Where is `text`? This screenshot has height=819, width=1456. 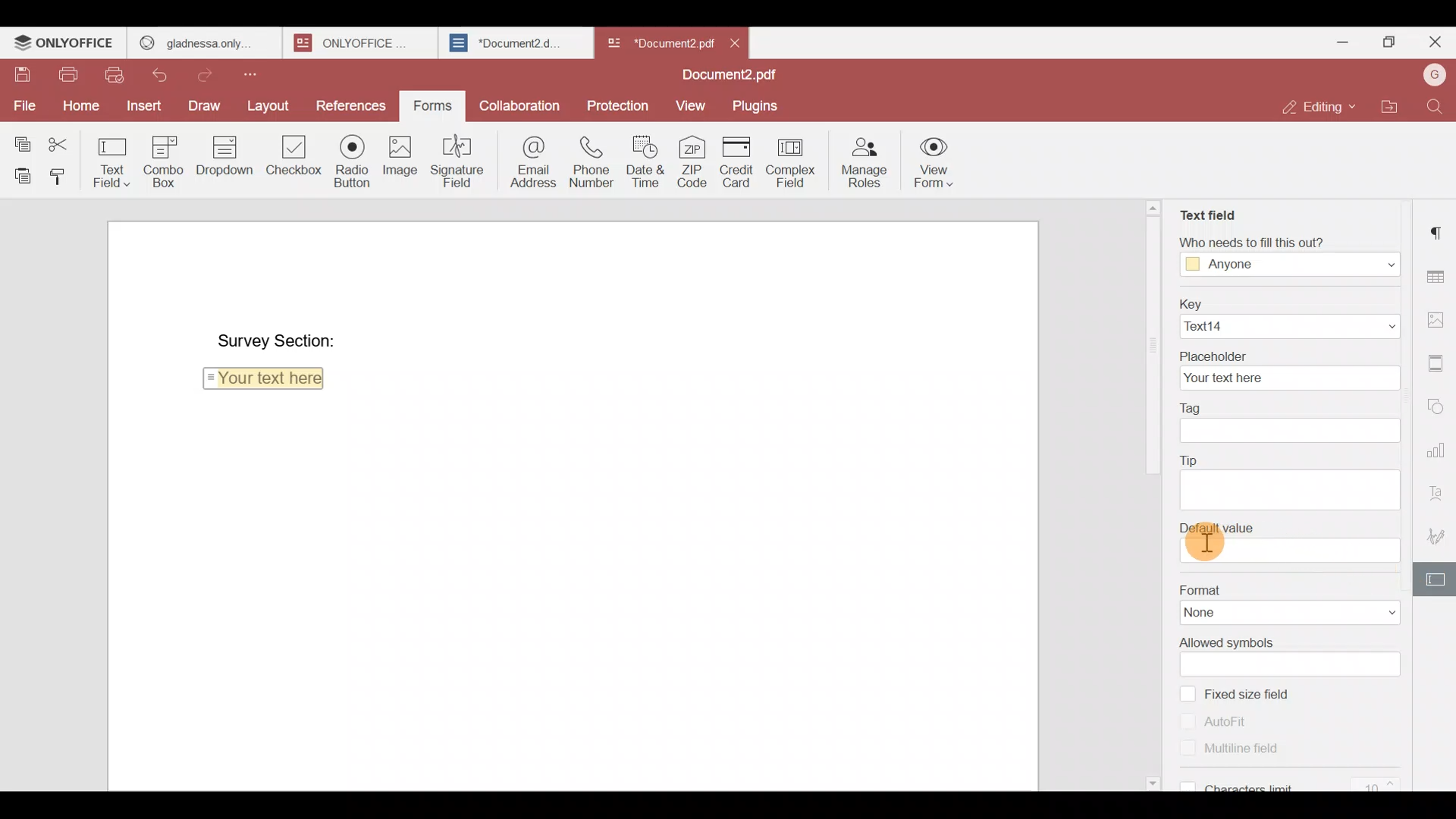 text is located at coordinates (1288, 490).